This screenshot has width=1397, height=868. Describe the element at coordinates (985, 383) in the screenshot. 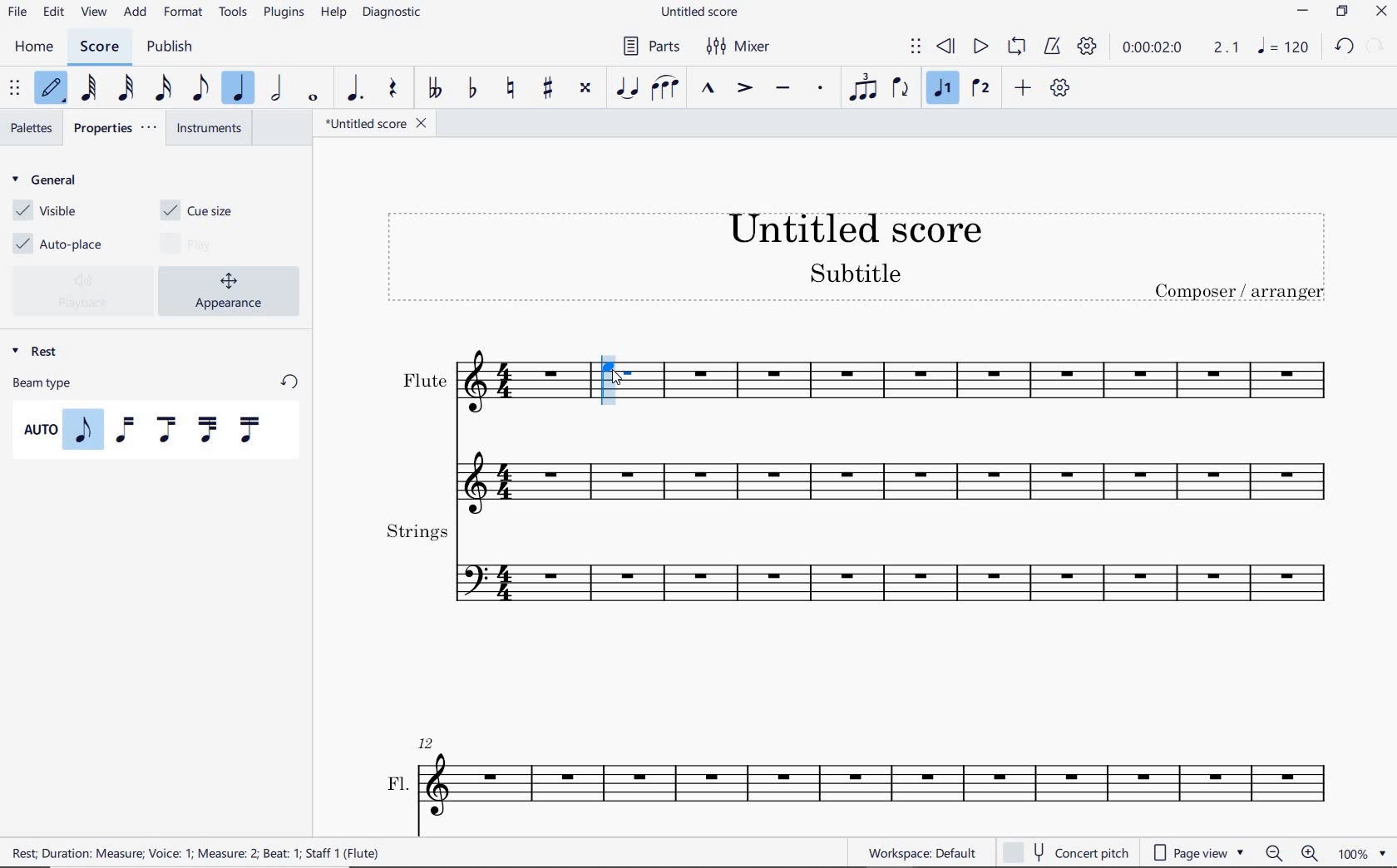

I see `flute` at that location.